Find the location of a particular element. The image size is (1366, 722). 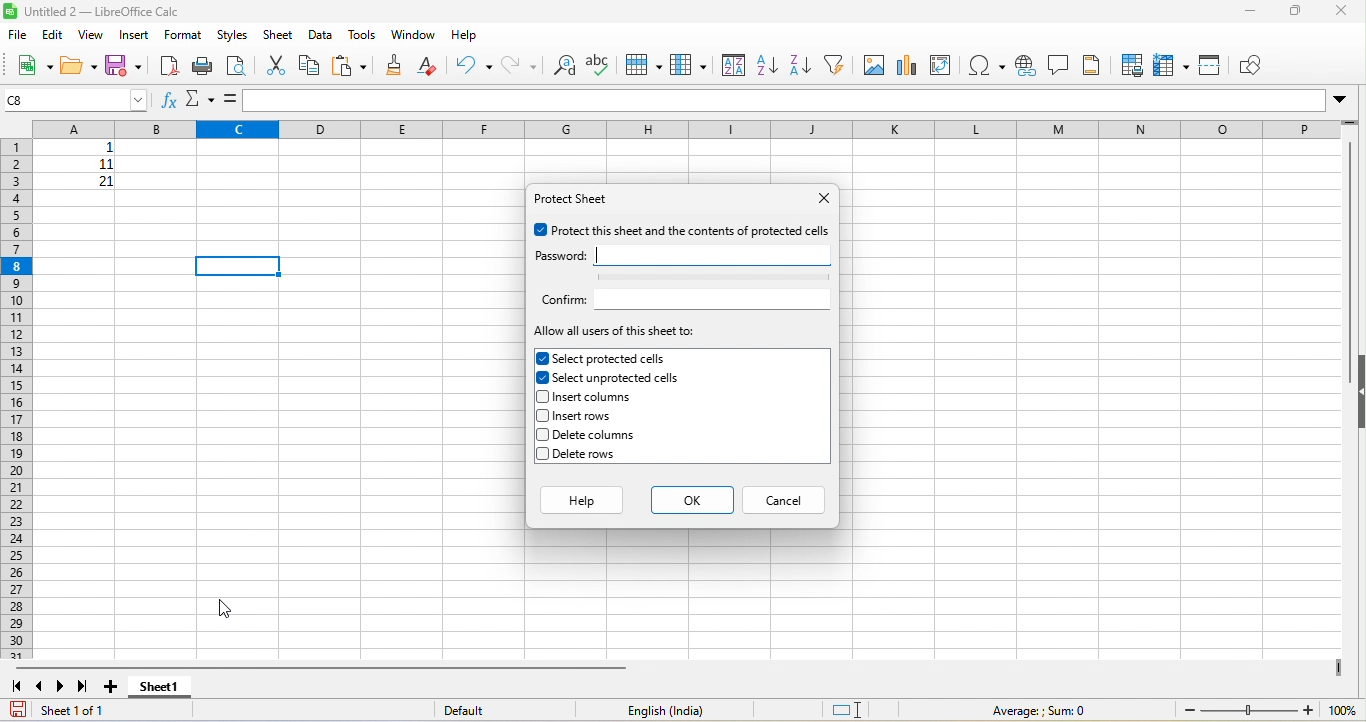

column headings is located at coordinates (676, 127).